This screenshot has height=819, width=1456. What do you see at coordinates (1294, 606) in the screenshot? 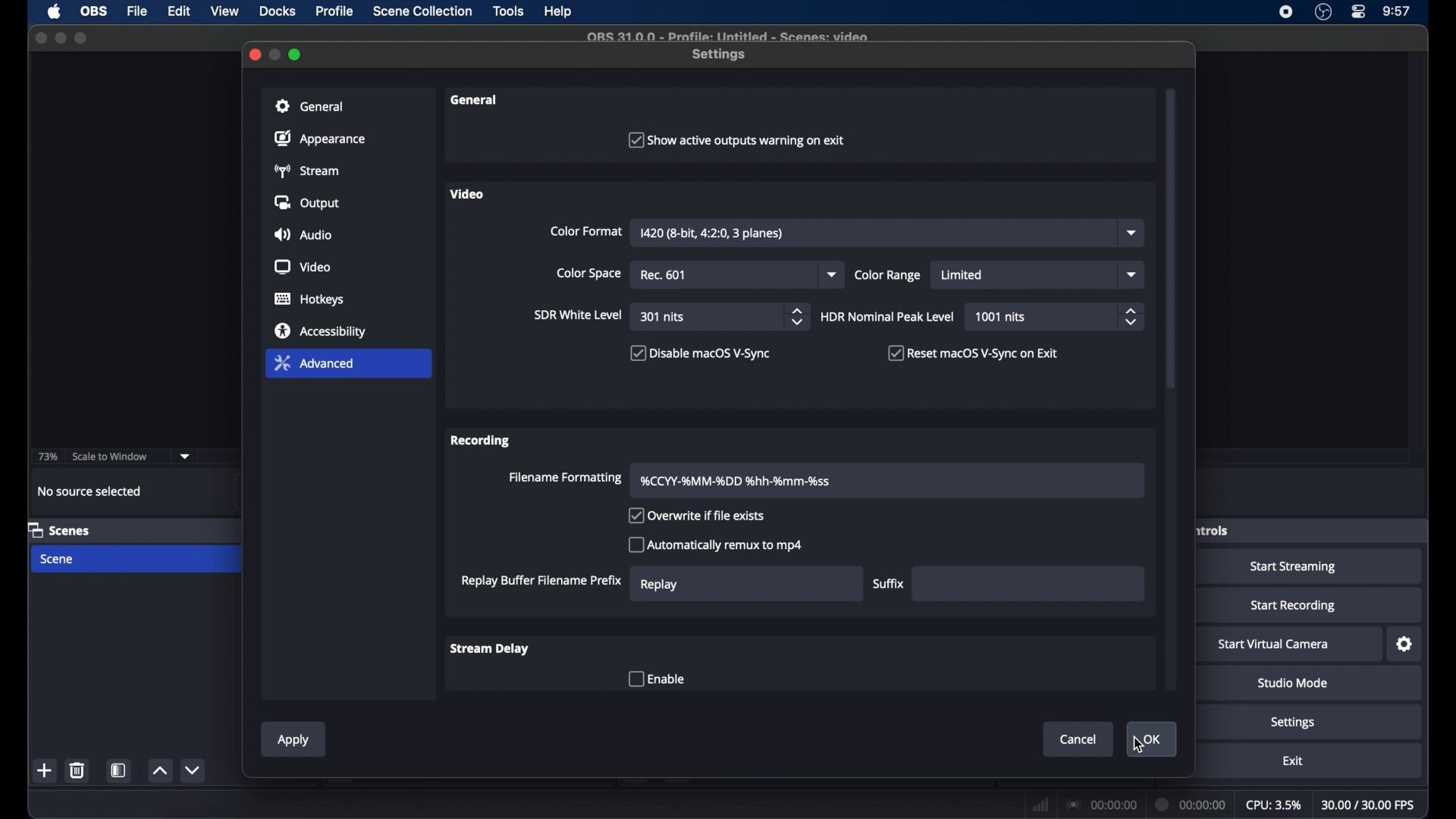
I see `start recording` at bounding box center [1294, 606].